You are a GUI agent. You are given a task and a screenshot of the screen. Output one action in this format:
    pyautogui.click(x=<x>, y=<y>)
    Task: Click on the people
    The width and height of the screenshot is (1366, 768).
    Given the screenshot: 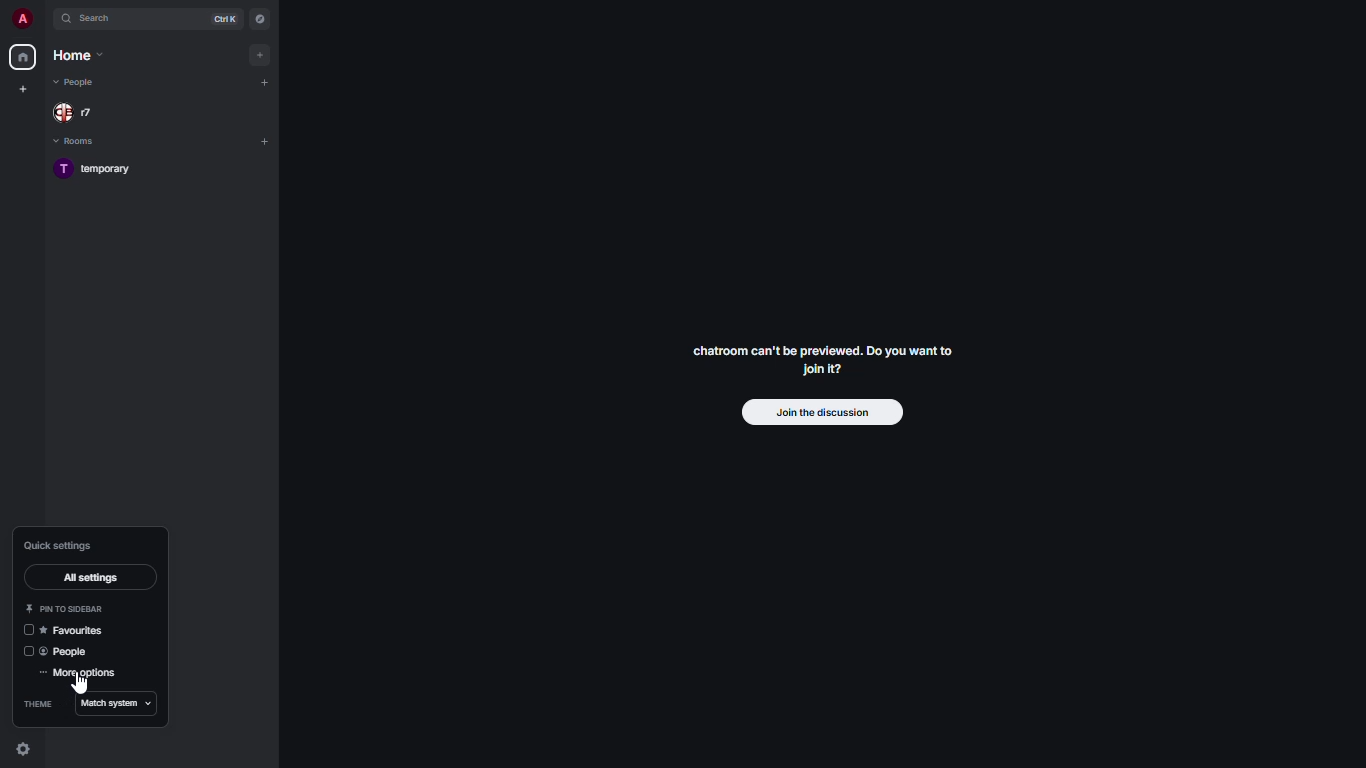 What is the action you would take?
    pyautogui.click(x=72, y=651)
    